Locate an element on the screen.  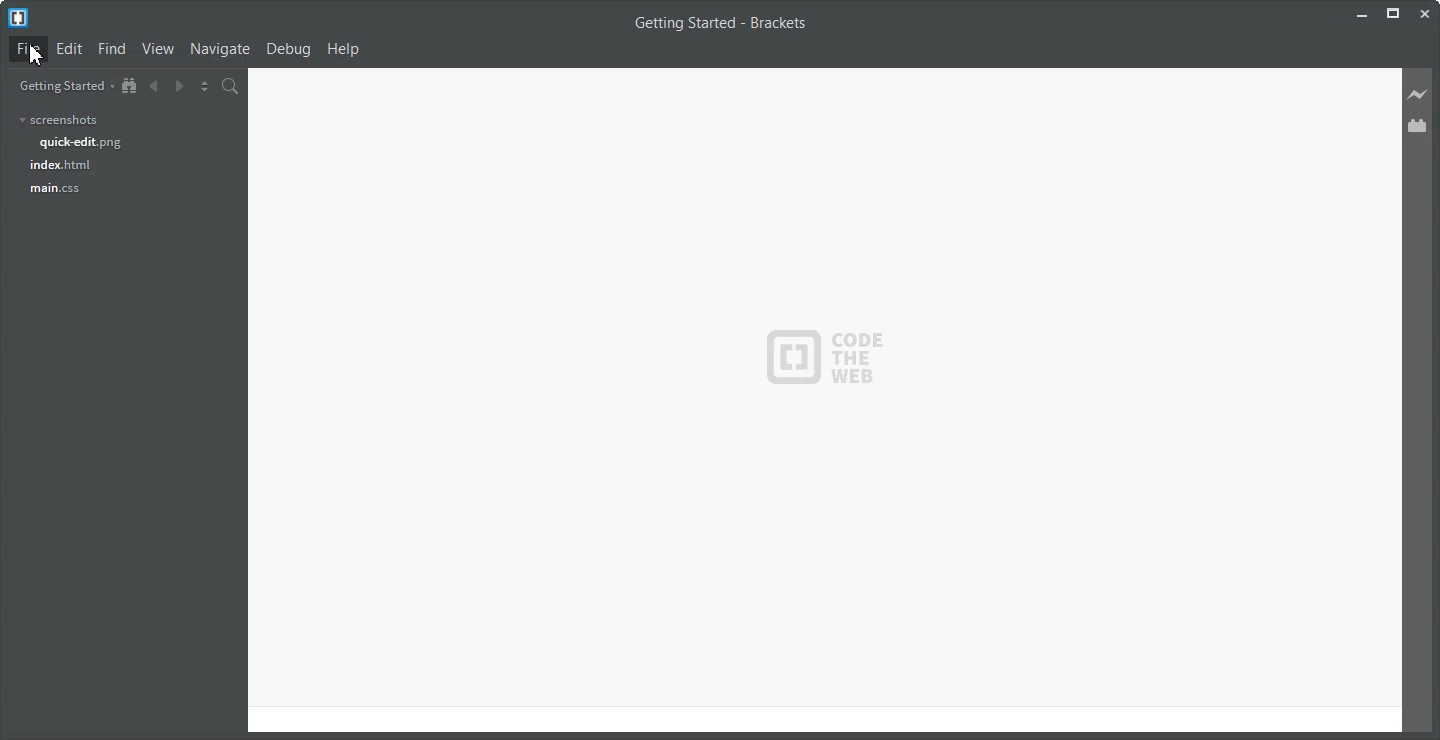
Close is located at coordinates (1424, 15).